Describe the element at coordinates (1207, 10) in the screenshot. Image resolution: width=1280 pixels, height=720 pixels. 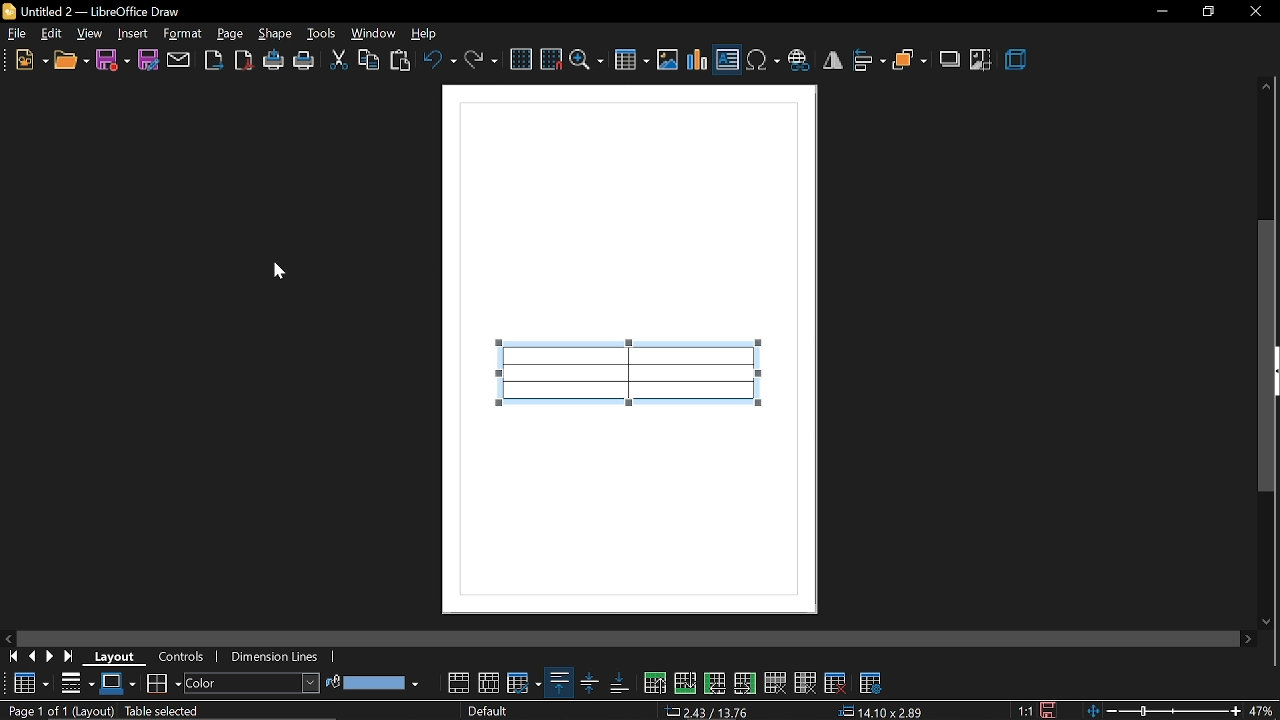
I see `restore down` at that location.